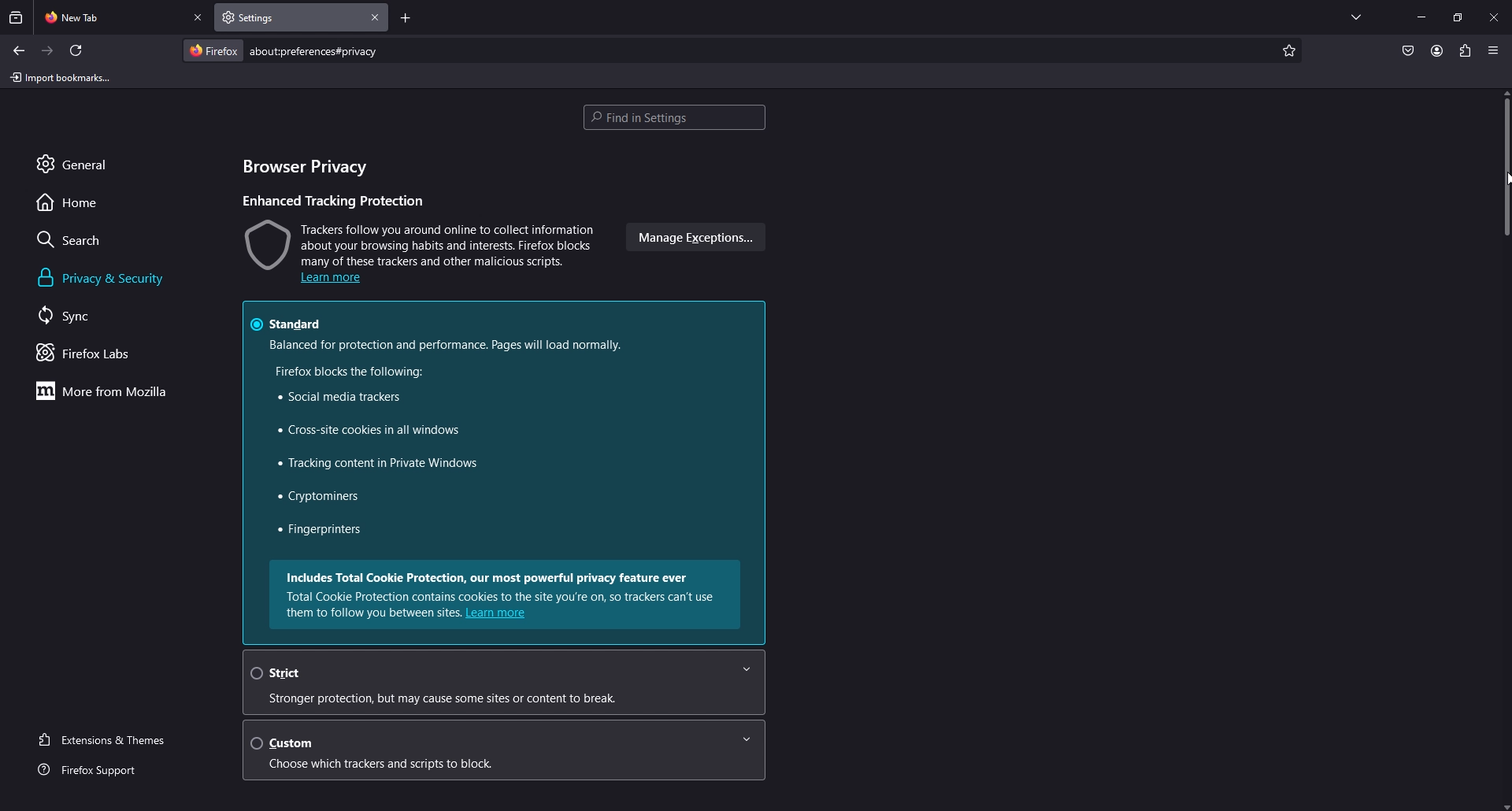  Describe the element at coordinates (468, 698) in the screenshot. I see `| Stronger protection, but may cause some sites or content to break.` at that location.